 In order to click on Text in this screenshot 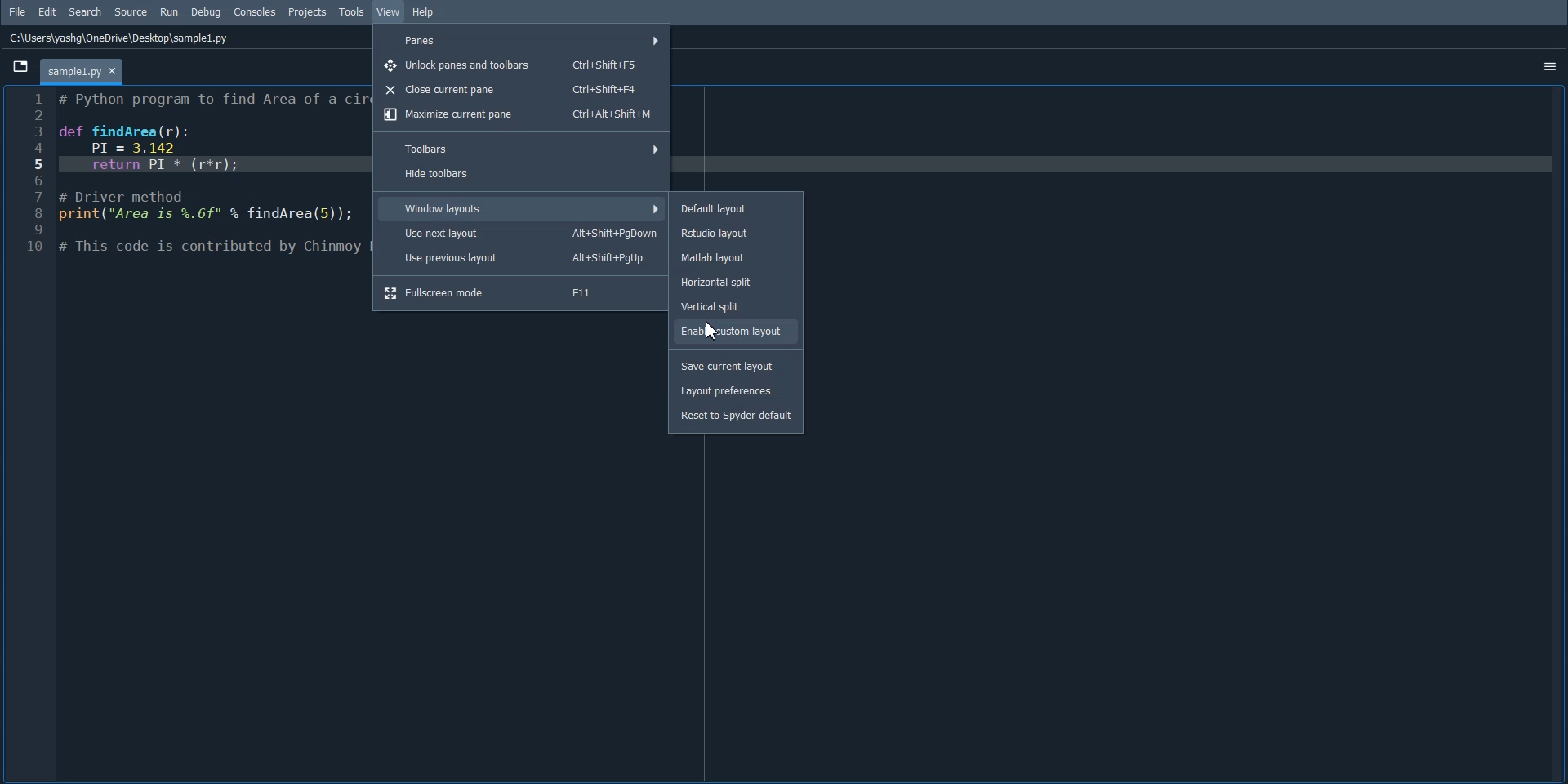, I will do `click(212, 174)`.